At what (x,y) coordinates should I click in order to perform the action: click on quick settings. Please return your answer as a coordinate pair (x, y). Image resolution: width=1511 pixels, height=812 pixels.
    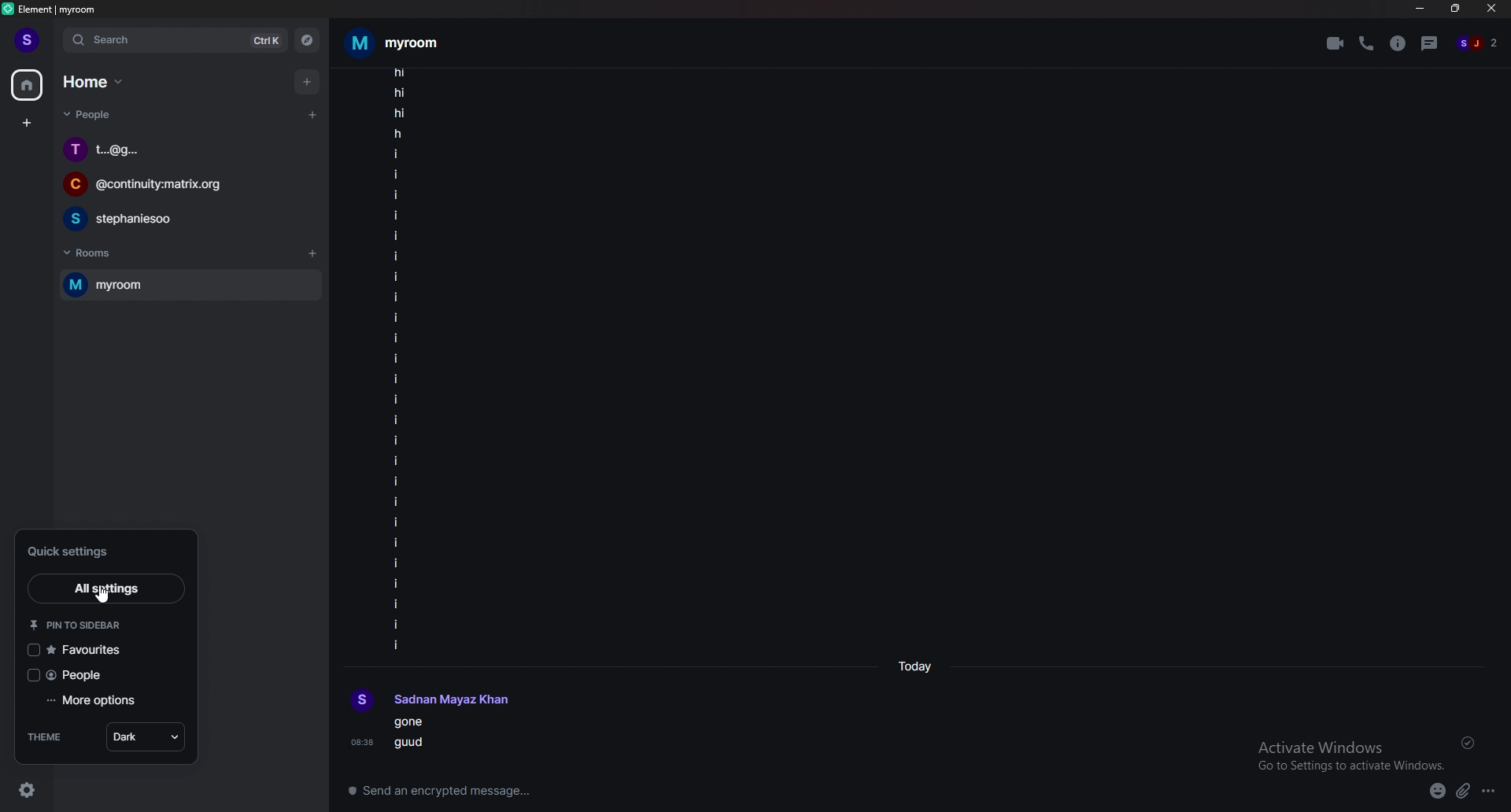
    Looking at the image, I should click on (97, 550).